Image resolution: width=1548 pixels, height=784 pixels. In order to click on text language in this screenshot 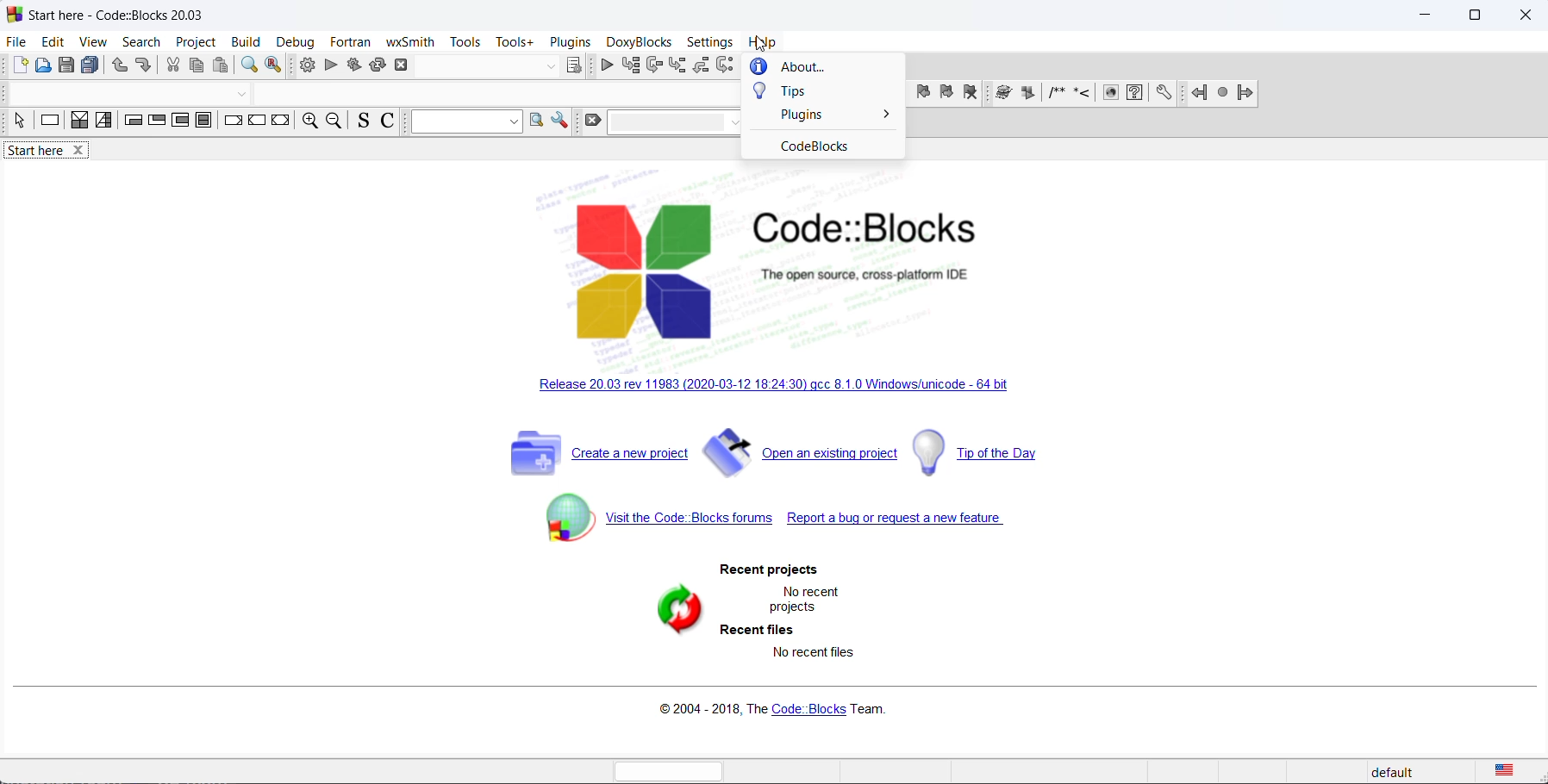, I will do `click(1514, 768)`.